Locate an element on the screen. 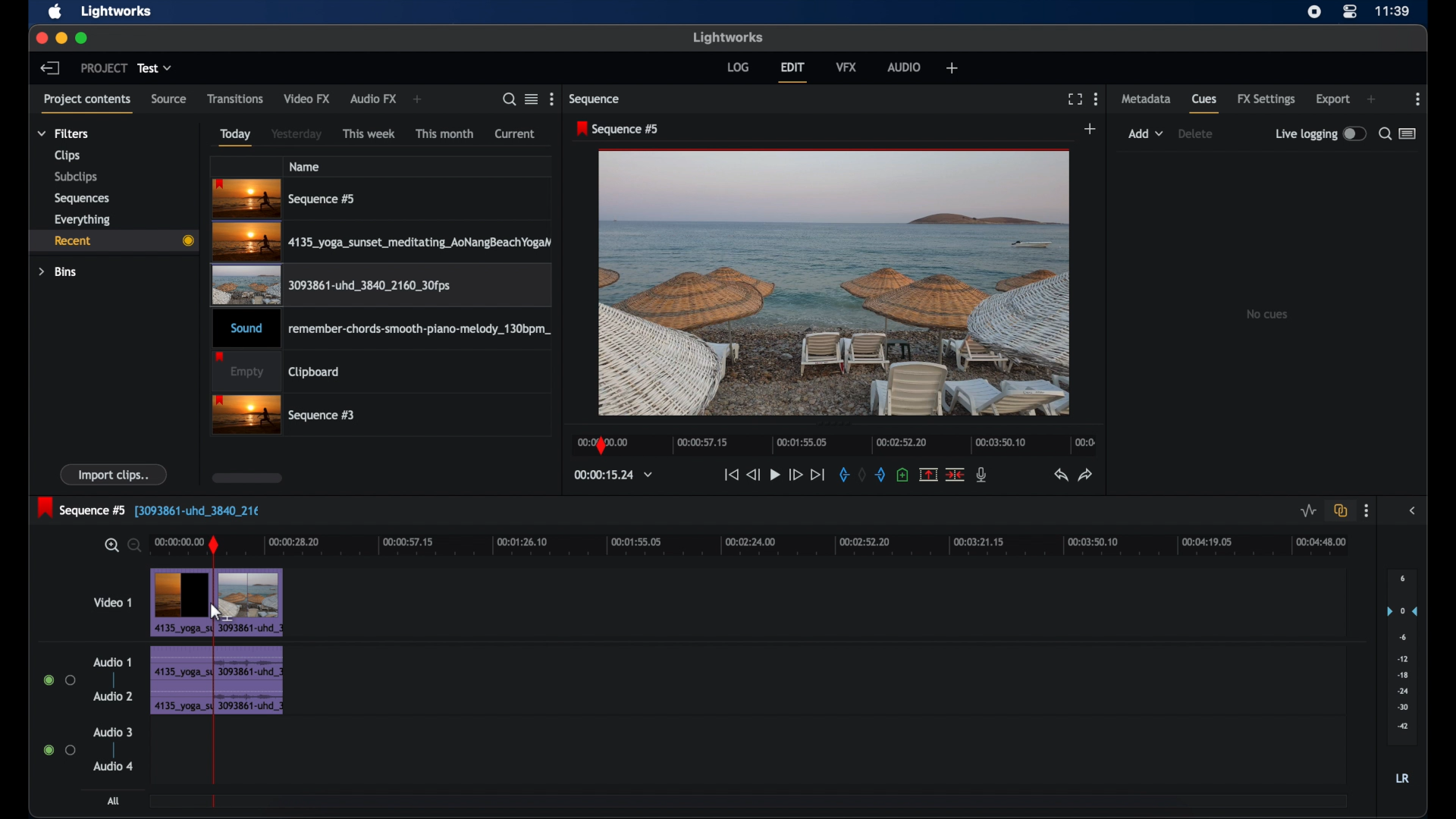 This screenshot has height=819, width=1456. scroll box is located at coordinates (246, 478).